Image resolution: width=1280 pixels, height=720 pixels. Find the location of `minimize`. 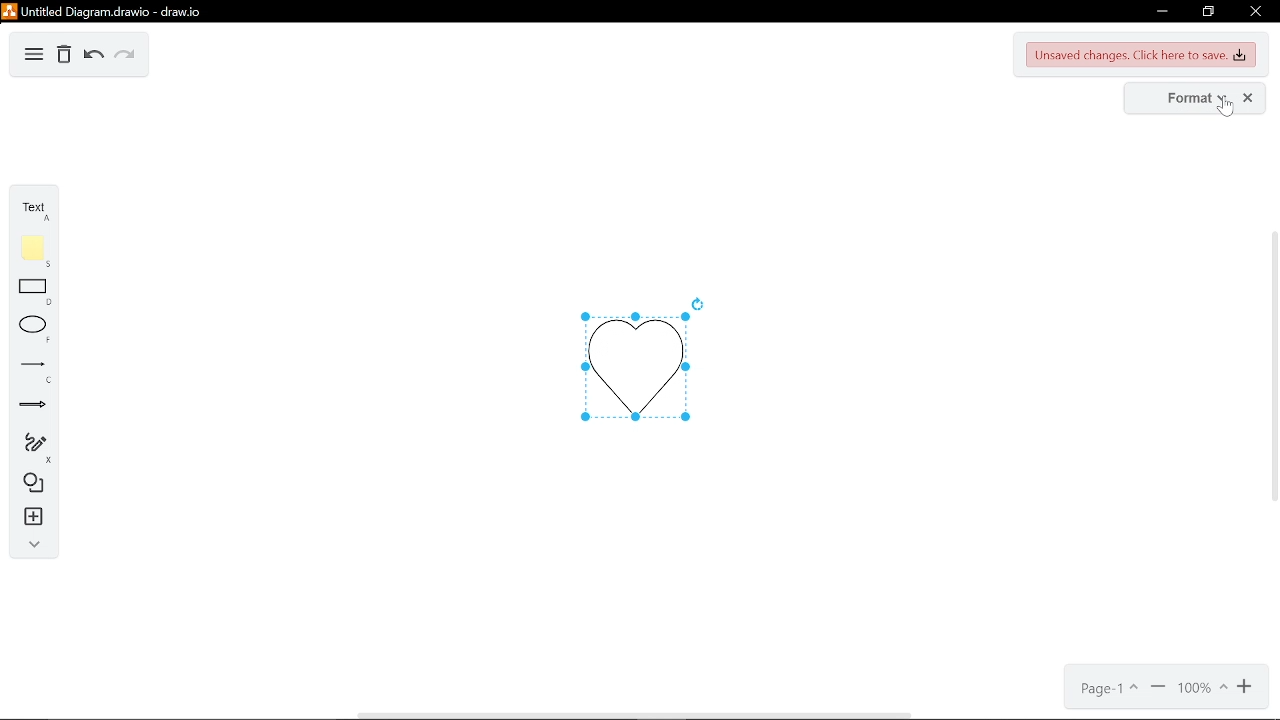

minimize is located at coordinates (1161, 11).